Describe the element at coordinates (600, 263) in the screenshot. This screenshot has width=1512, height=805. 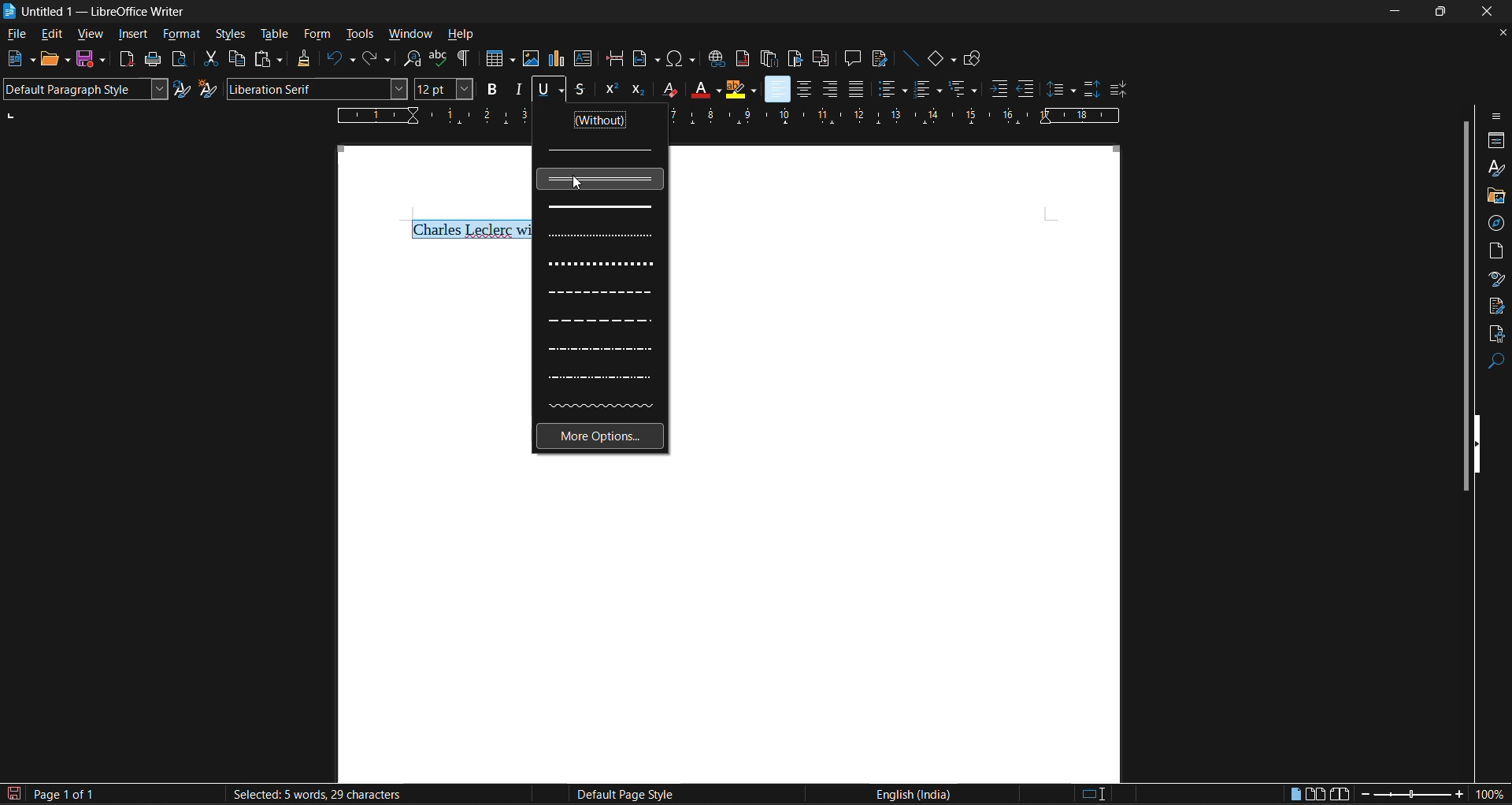
I see `dotted bold` at that location.